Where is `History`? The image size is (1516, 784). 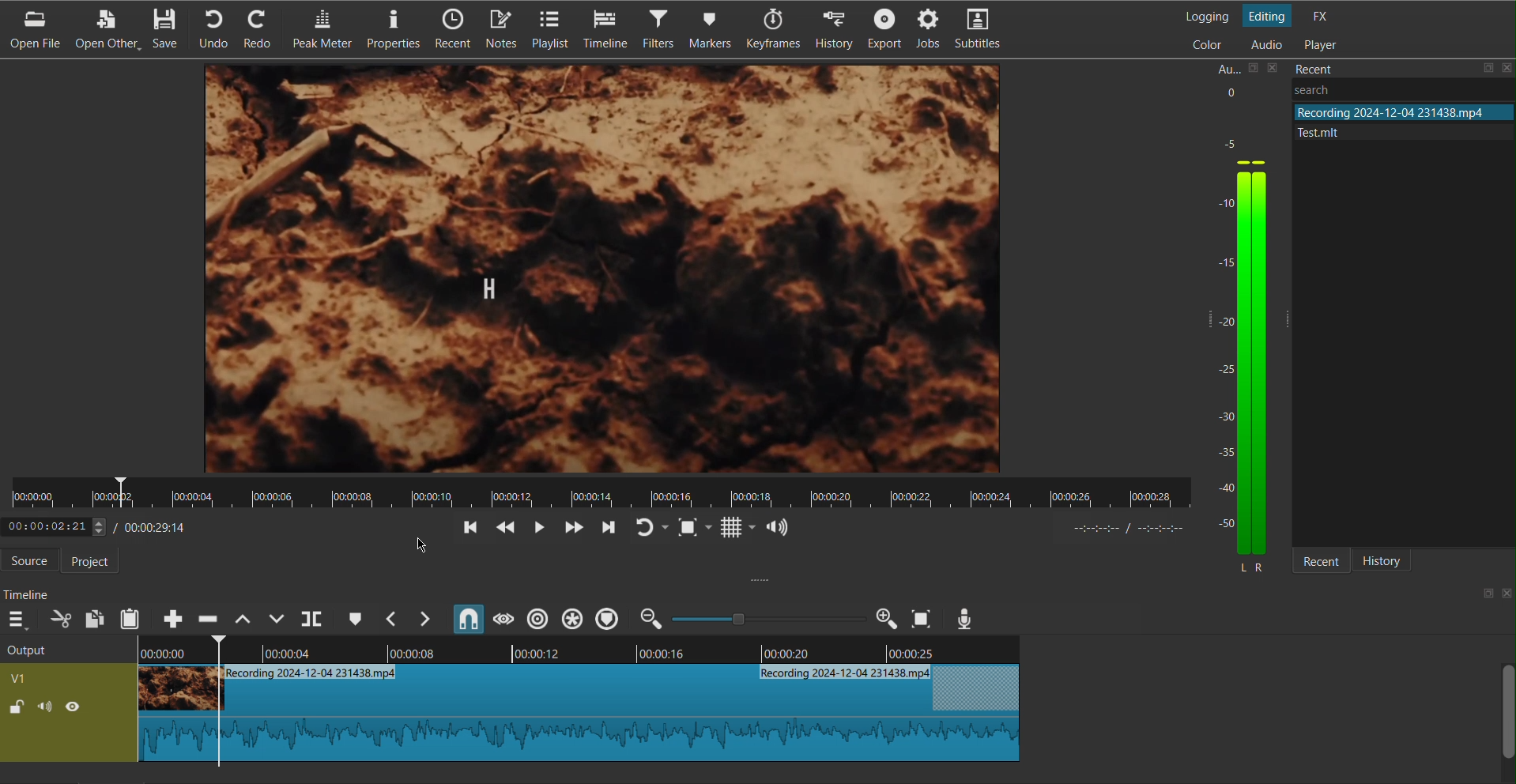
History is located at coordinates (1391, 561).